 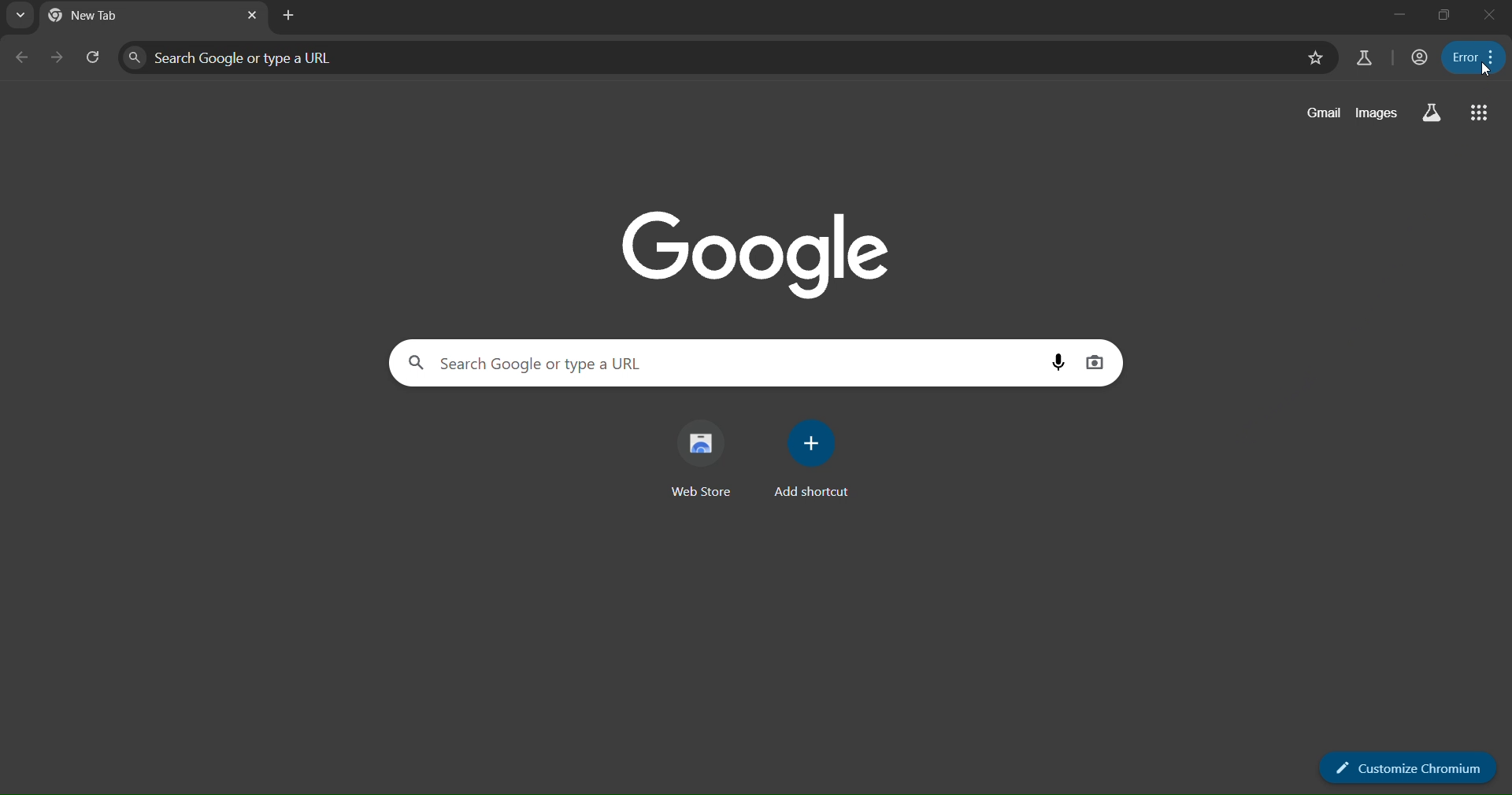 I want to click on go forward one page, so click(x=56, y=59).